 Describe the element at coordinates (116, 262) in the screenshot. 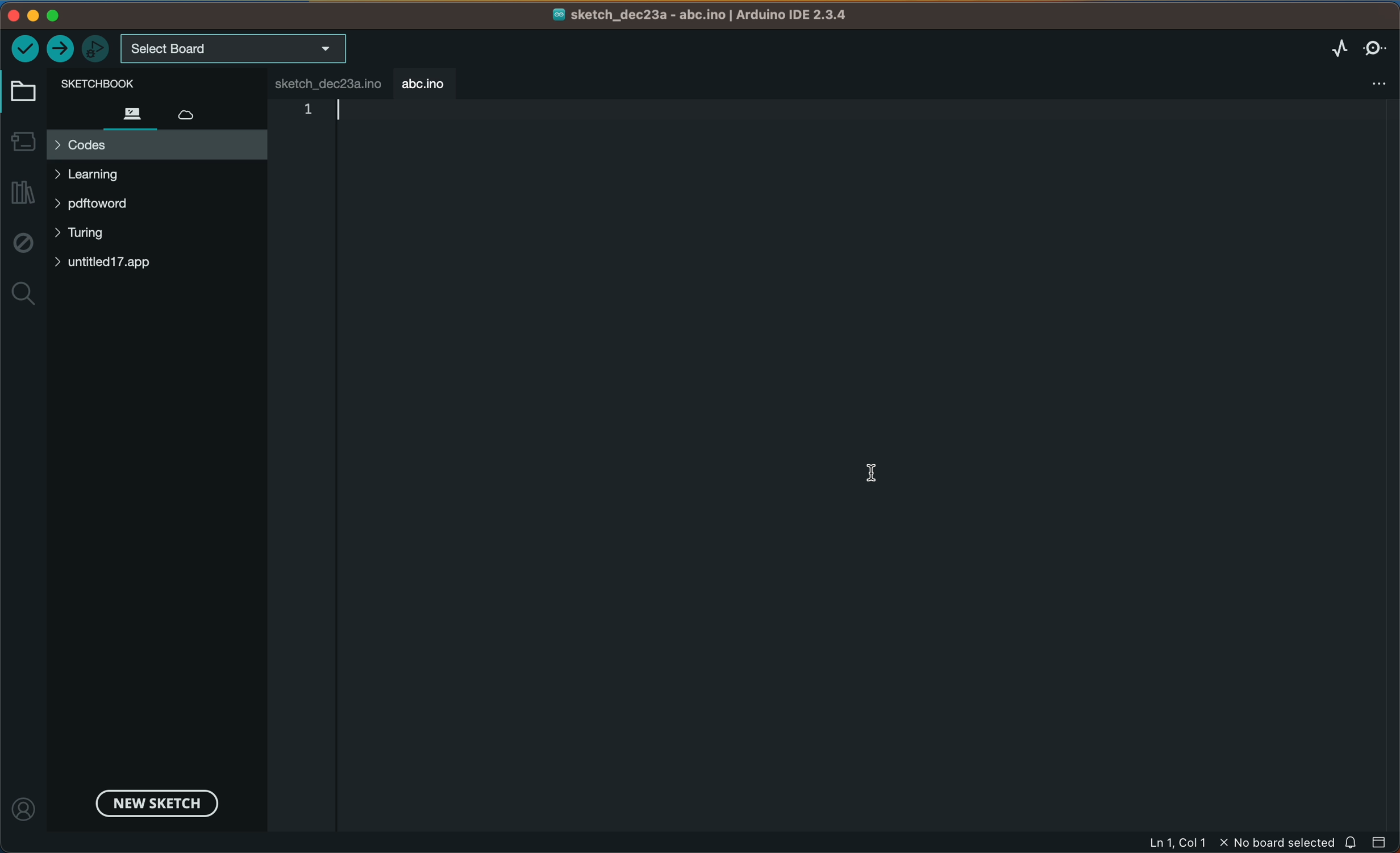

I see `untitled 17` at that location.